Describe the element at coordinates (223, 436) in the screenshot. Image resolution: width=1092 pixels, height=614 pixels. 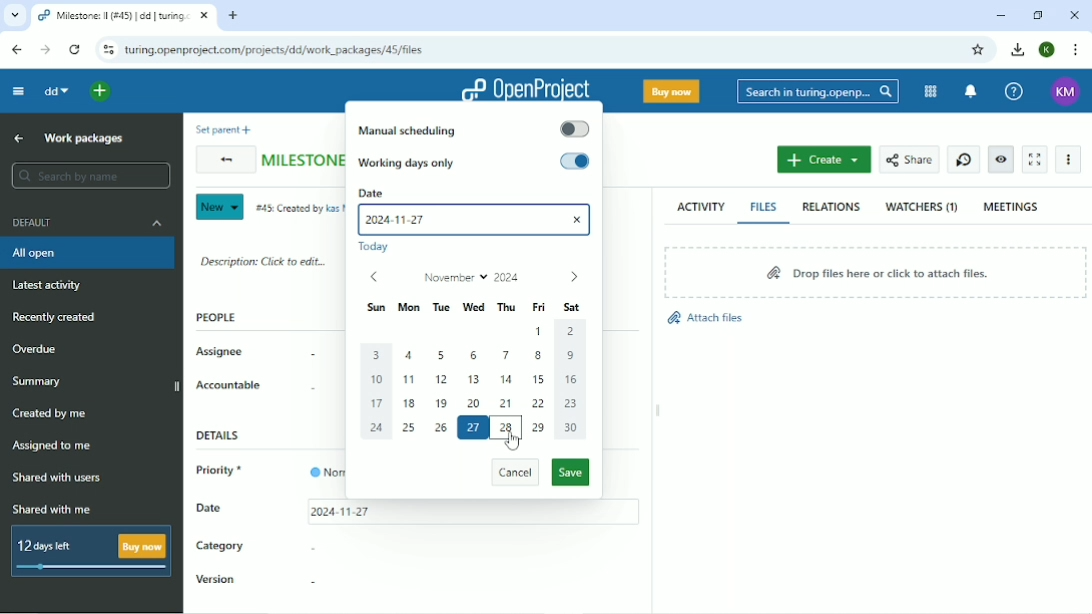
I see `Details` at that location.